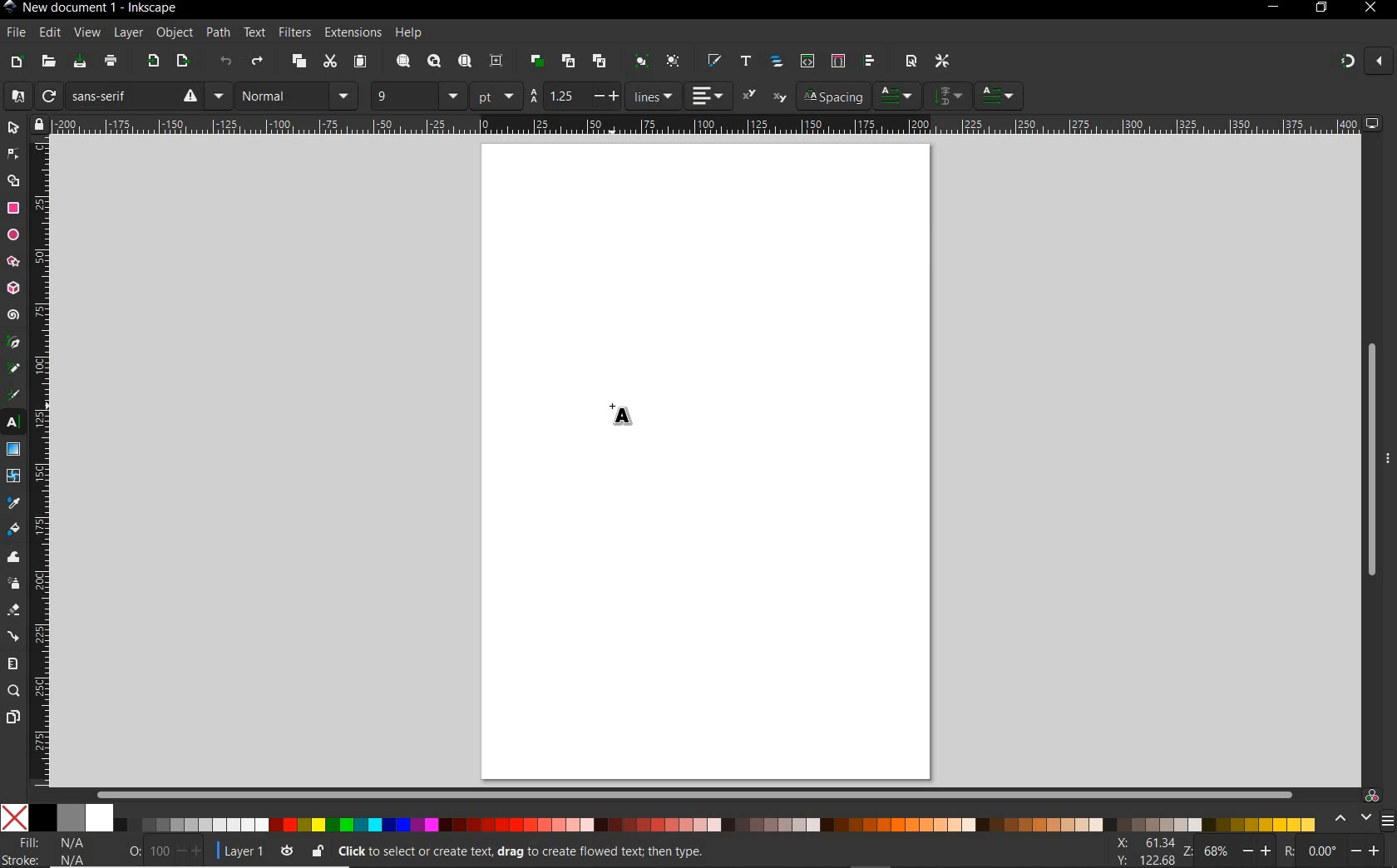 This screenshot has width=1397, height=868. Describe the element at coordinates (13, 450) in the screenshot. I see `Gradient Tool` at that location.